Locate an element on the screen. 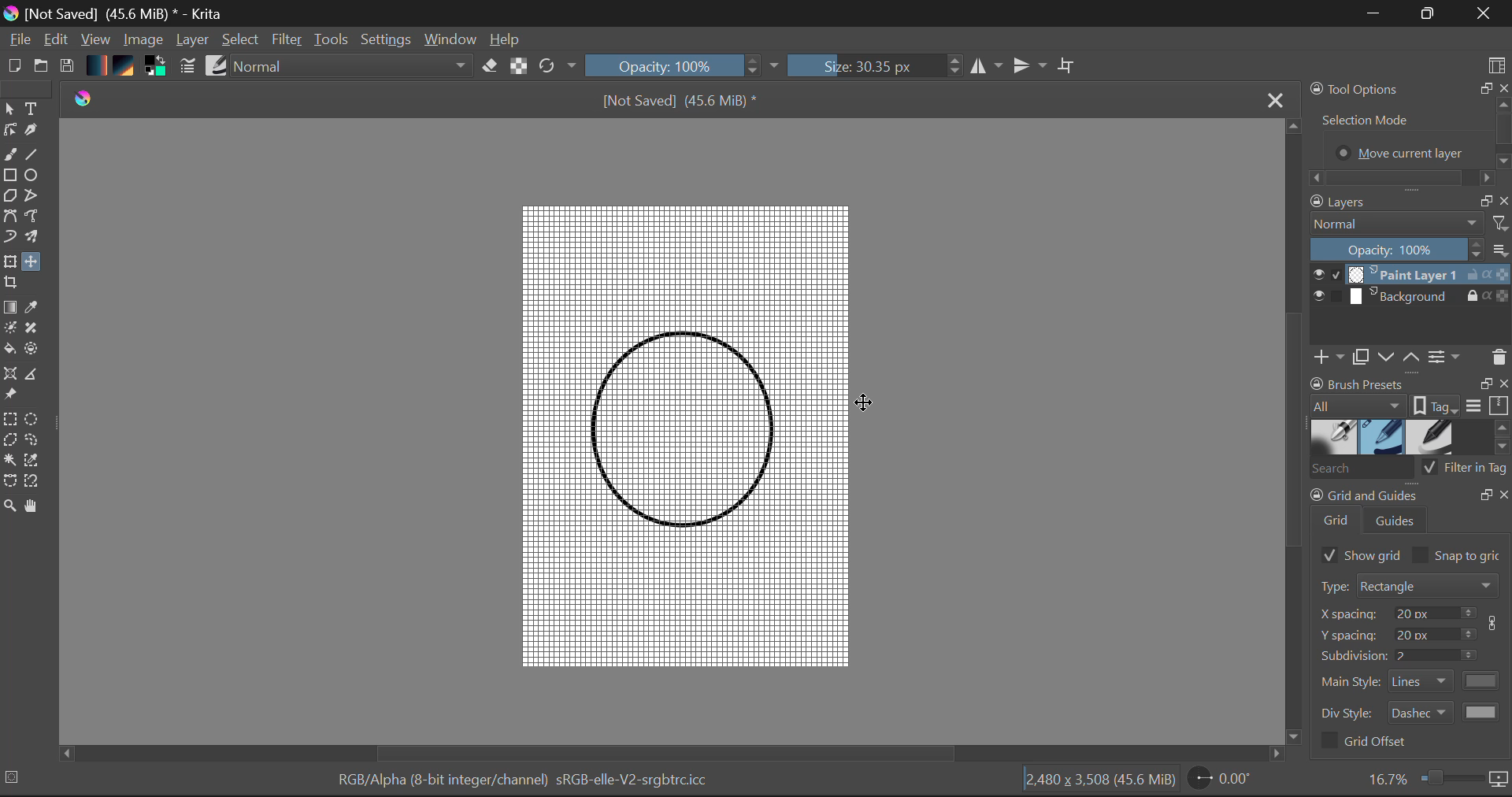  Snap to grid is located at coordinates (1460, 555).